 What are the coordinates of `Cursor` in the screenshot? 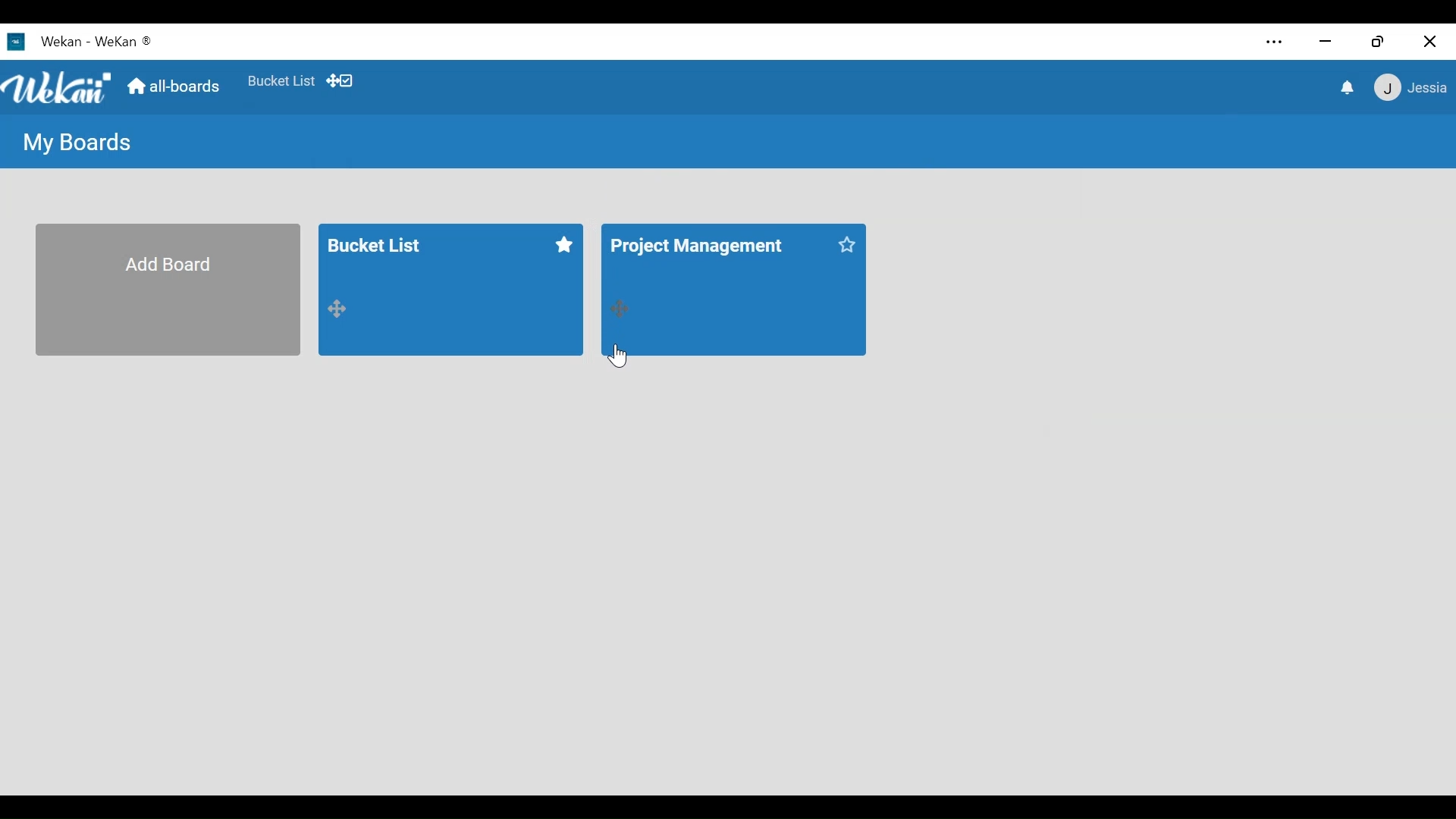 It's located at (617, 356).